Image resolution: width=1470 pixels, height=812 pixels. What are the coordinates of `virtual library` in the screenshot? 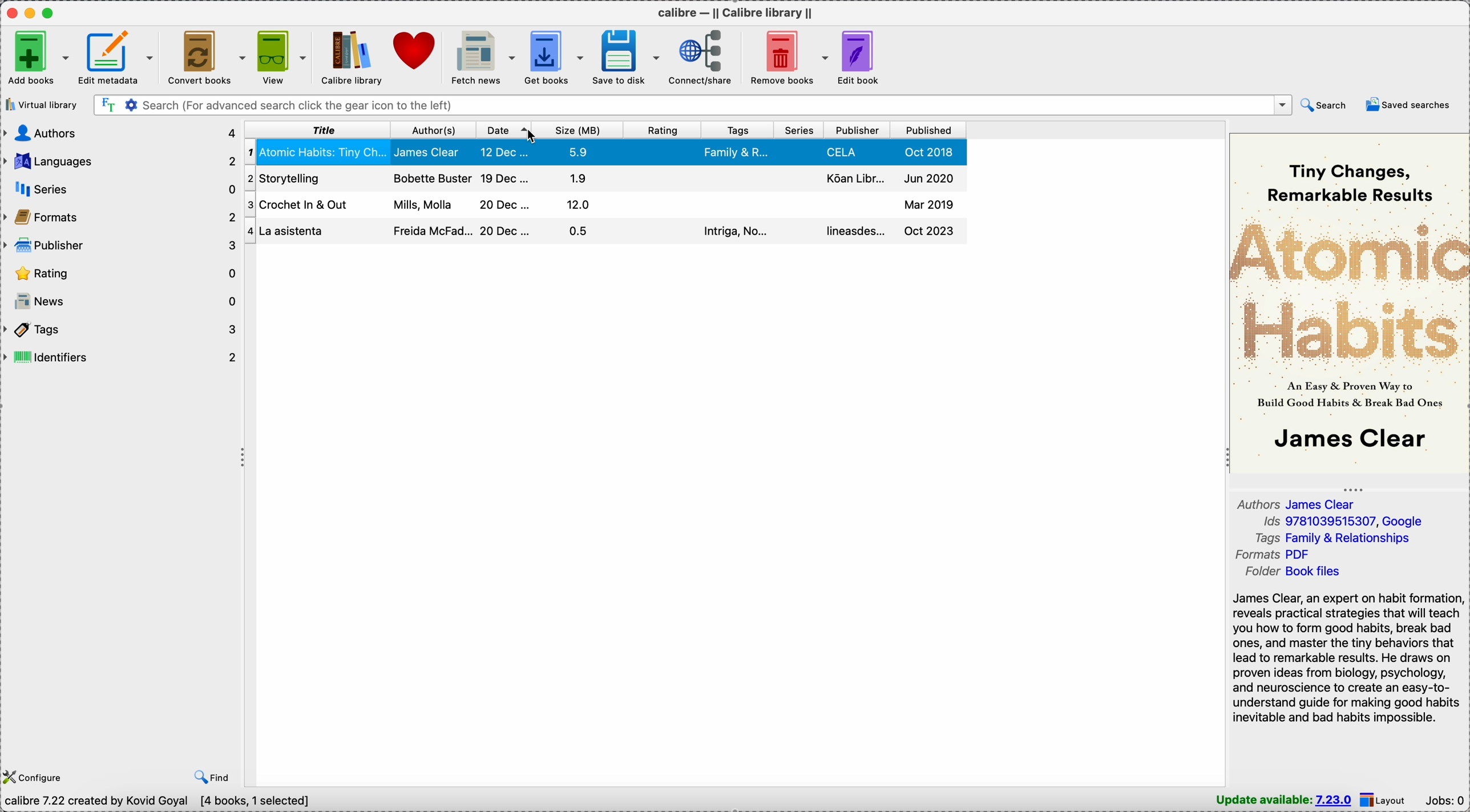 It's located at (41, 106).